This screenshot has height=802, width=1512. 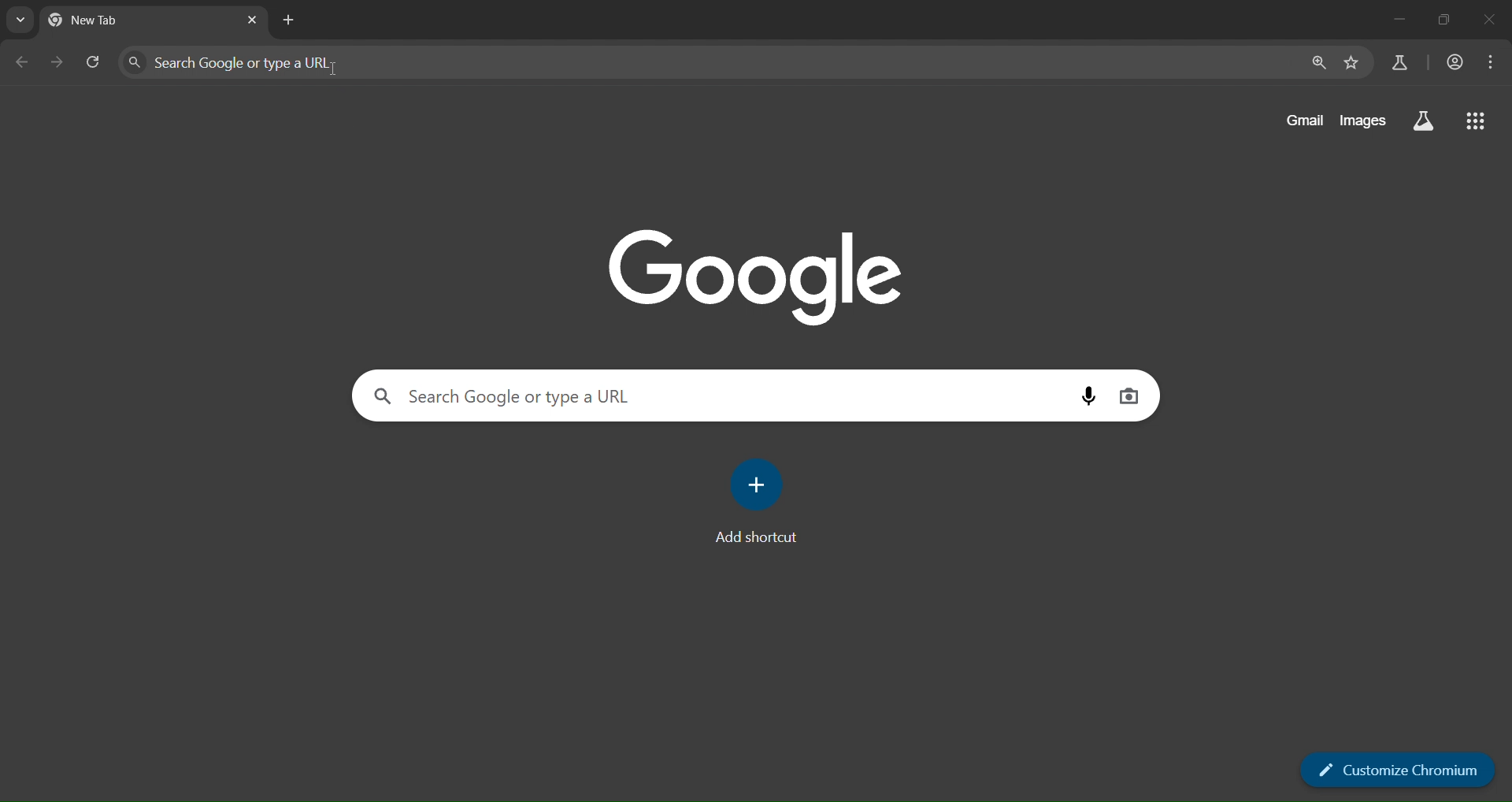 What do you see at coordinates (754, 271) in the screenshot?
I see `google` at bounding box center [754, 271].